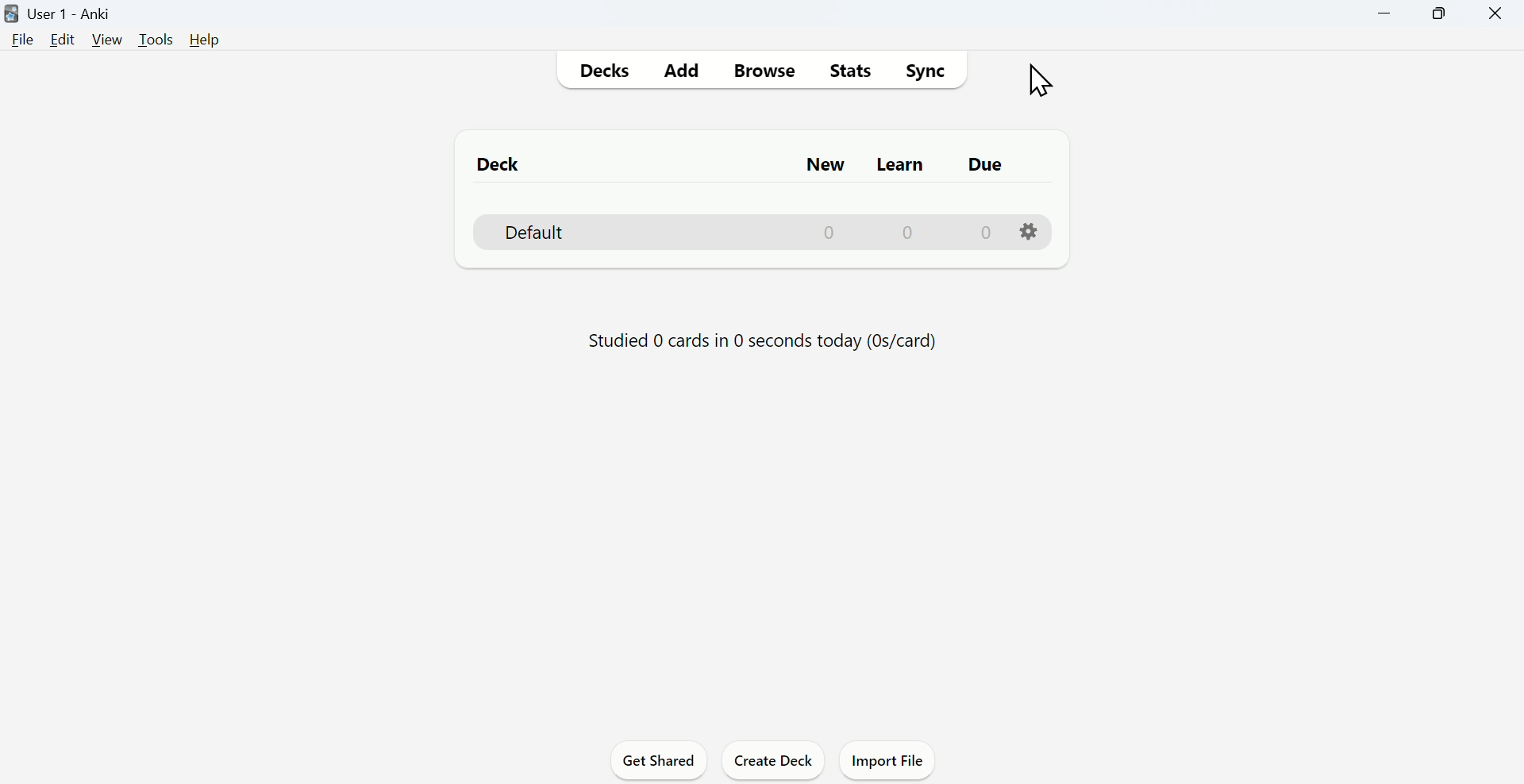  Describe the element at coordinates (770, 344) in the screenshot. I see `Studied 0 cards in 0 seconds today (Os/card)` at that location.